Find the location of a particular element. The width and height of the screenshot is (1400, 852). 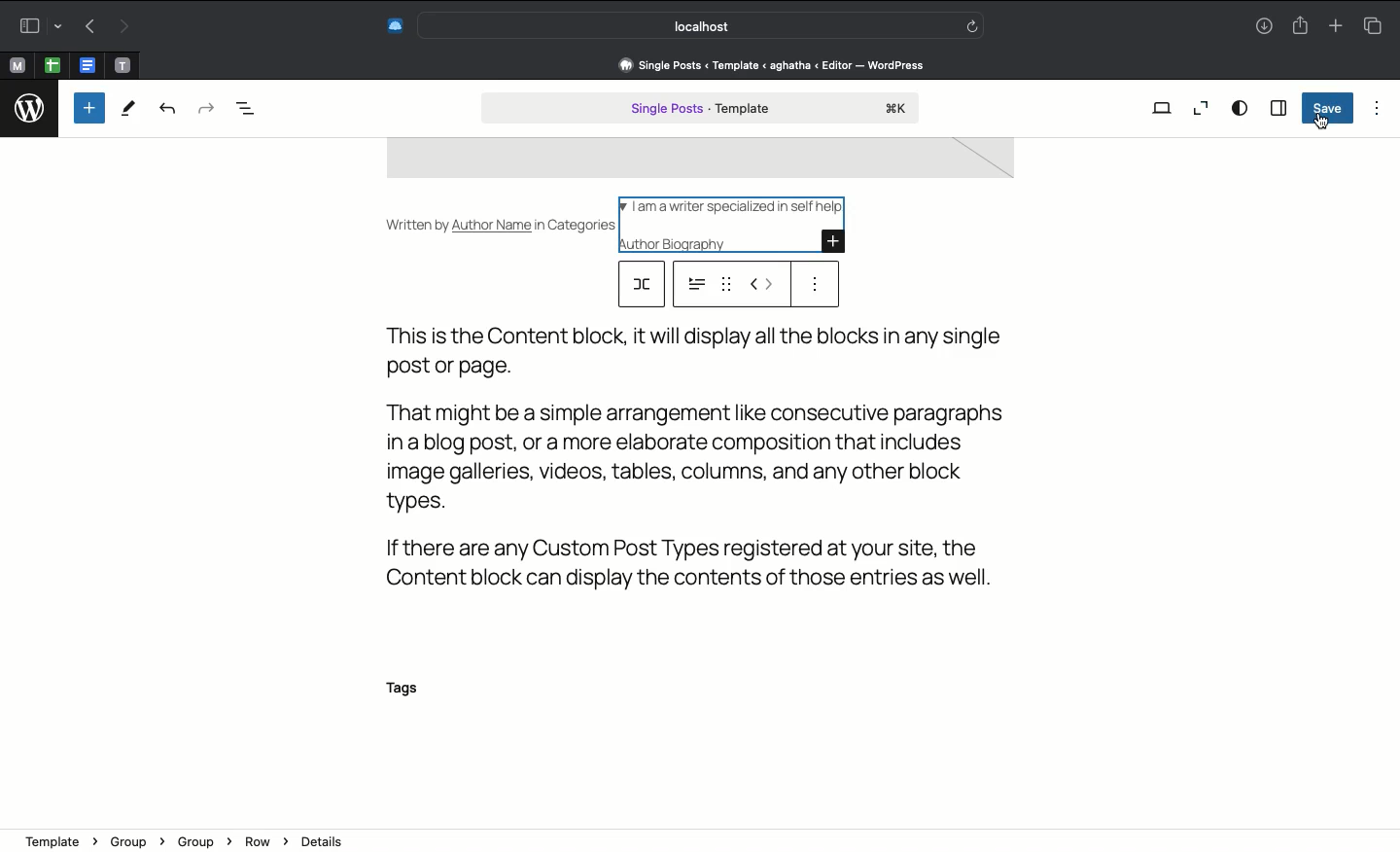

drag is located at coordinates (723, 284).